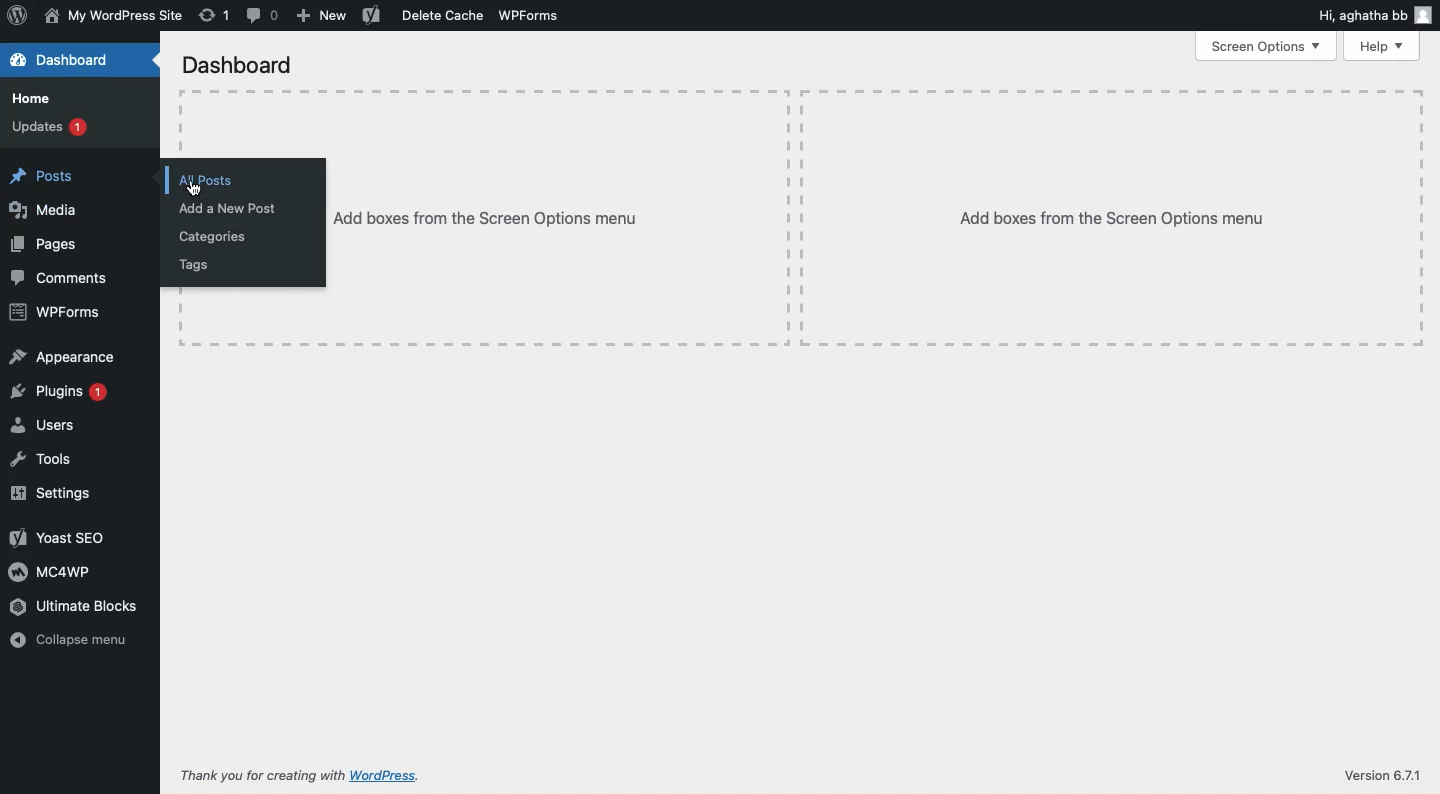 This screenshot has height=794, width=1440. What do you see at coordinates (370, 15) in the screenshot?
I see `Yoast` at bounding box center [370, 15].